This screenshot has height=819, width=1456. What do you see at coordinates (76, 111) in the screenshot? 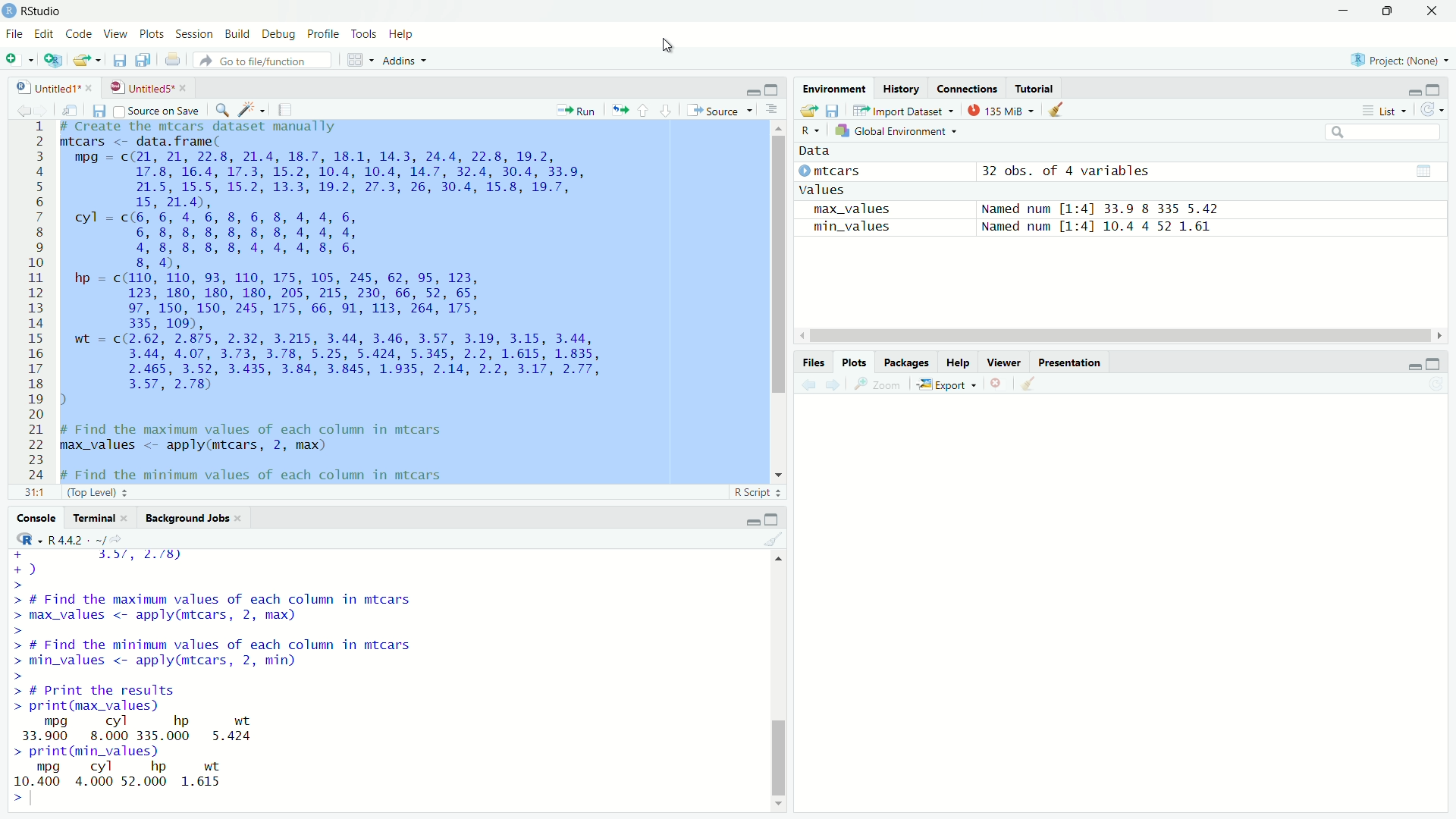
I see `move` at bounding box center [76, 111].